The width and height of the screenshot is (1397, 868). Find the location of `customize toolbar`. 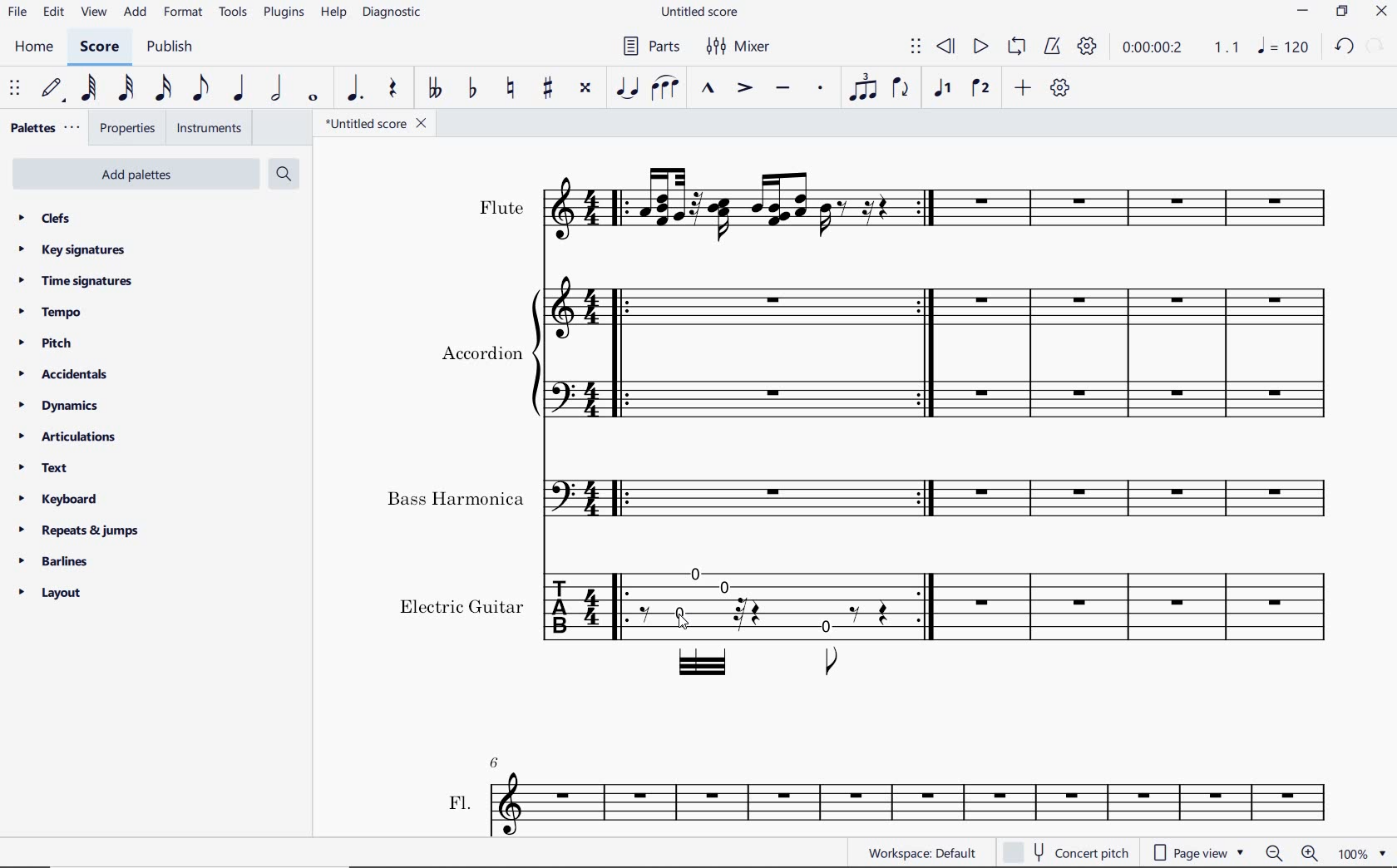

customize toolbar is located at coordinates (1062, 89).